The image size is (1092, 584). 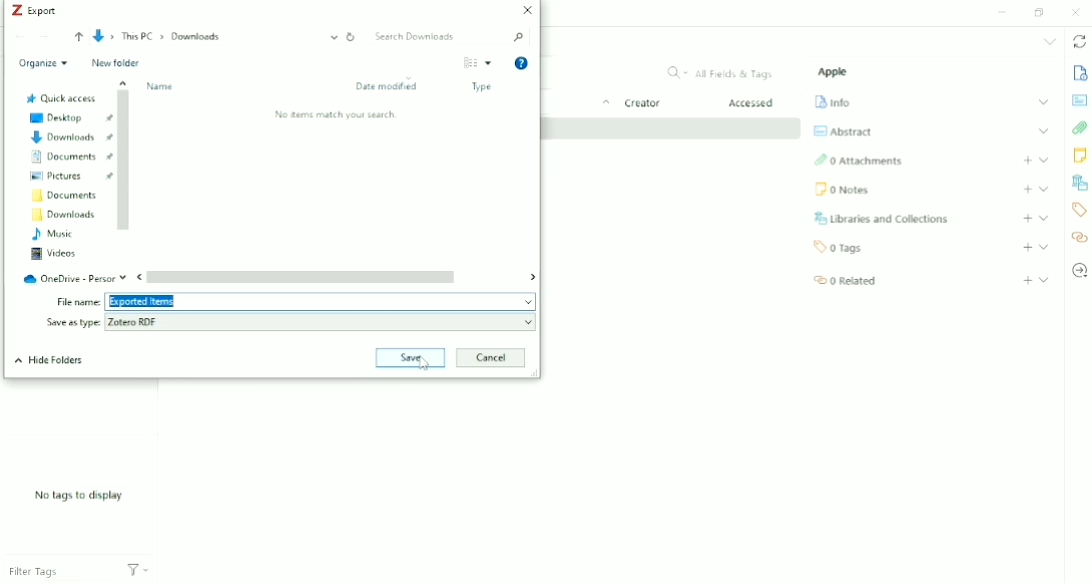 I want to click on Music, so click(x=53, y=234).